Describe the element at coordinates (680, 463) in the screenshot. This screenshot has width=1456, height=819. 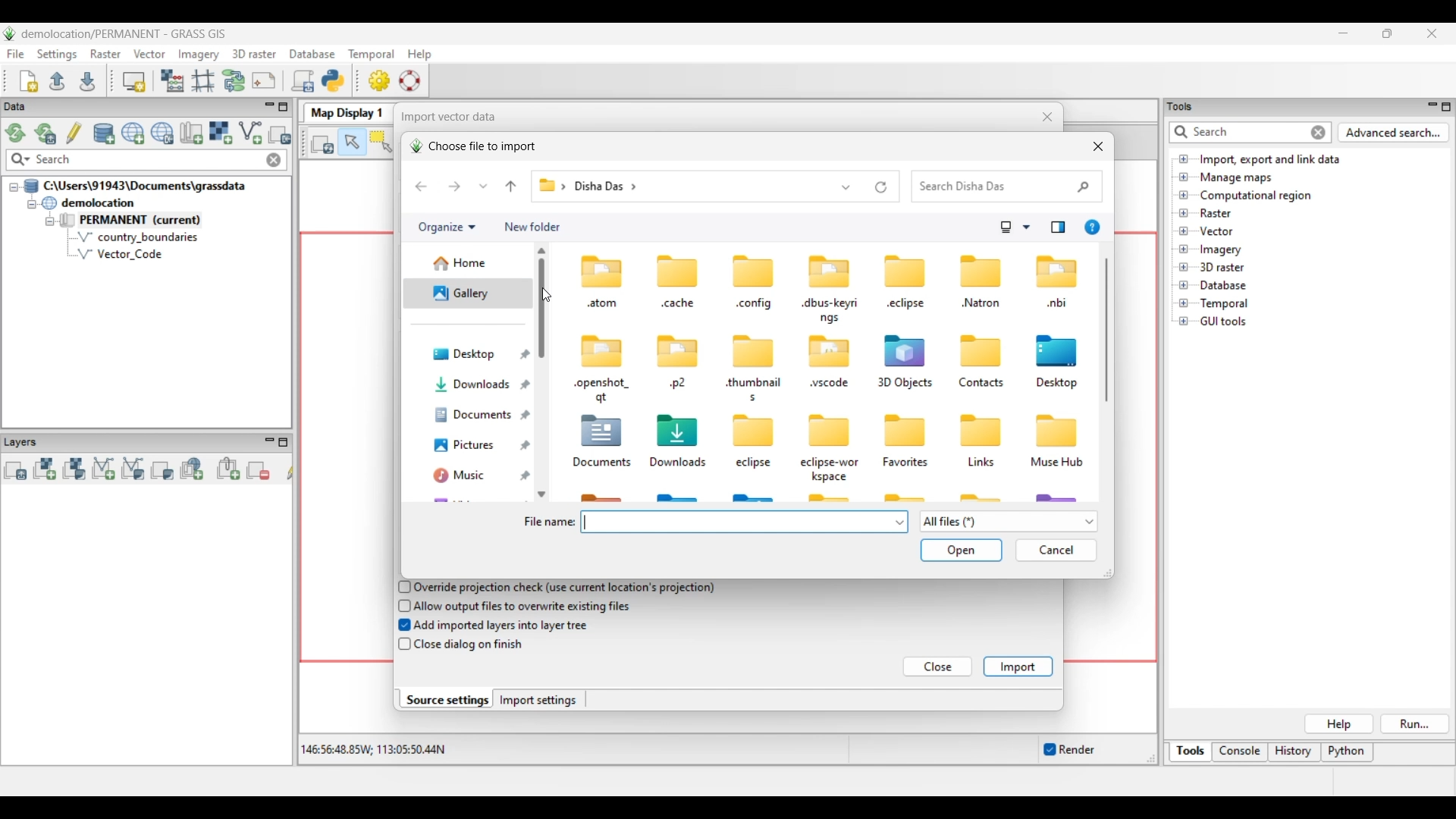
I see `Downloads` at that location.